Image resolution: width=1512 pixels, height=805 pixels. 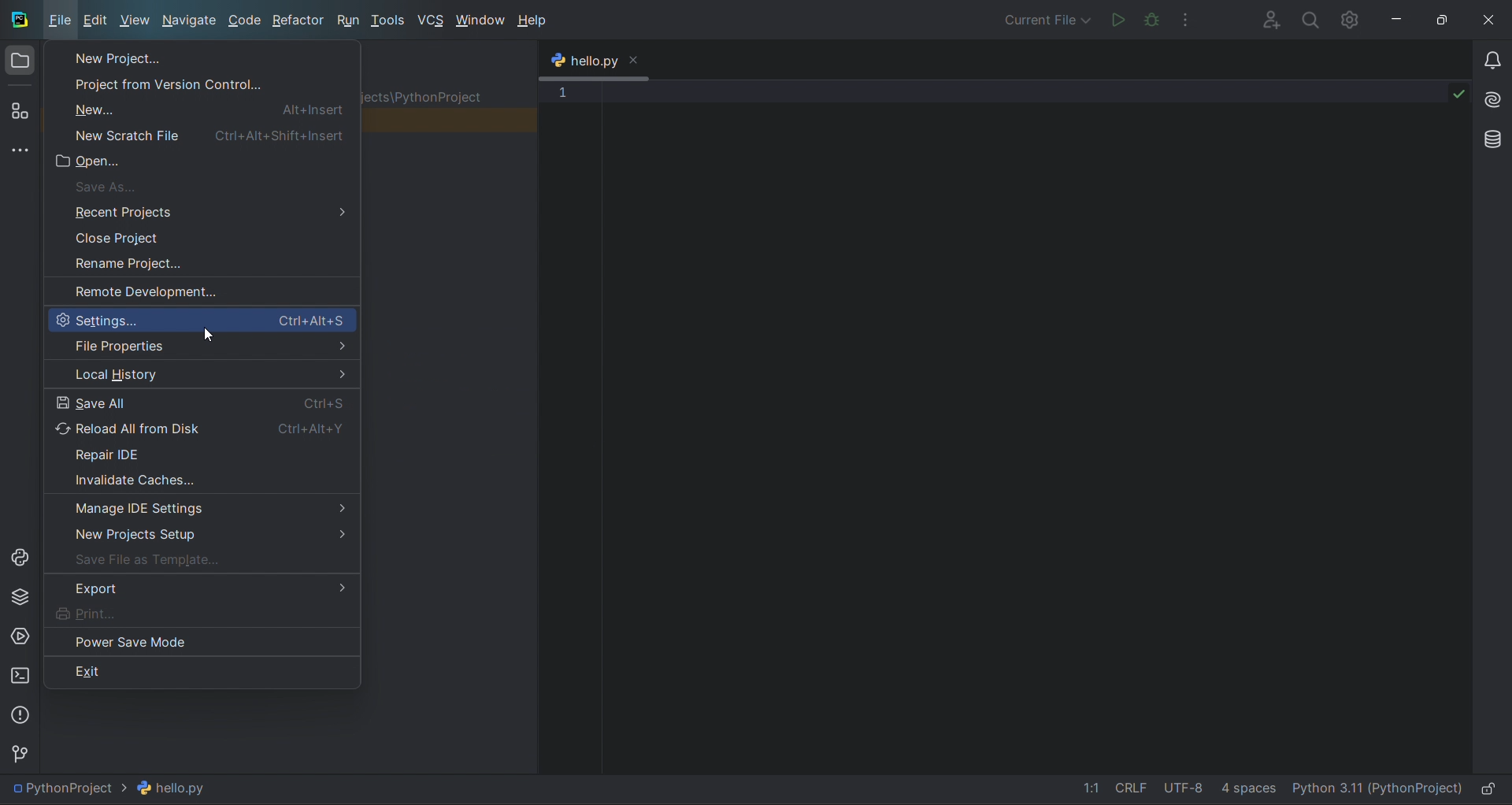 I want to click on notifications, so click(x=1492, y=61).